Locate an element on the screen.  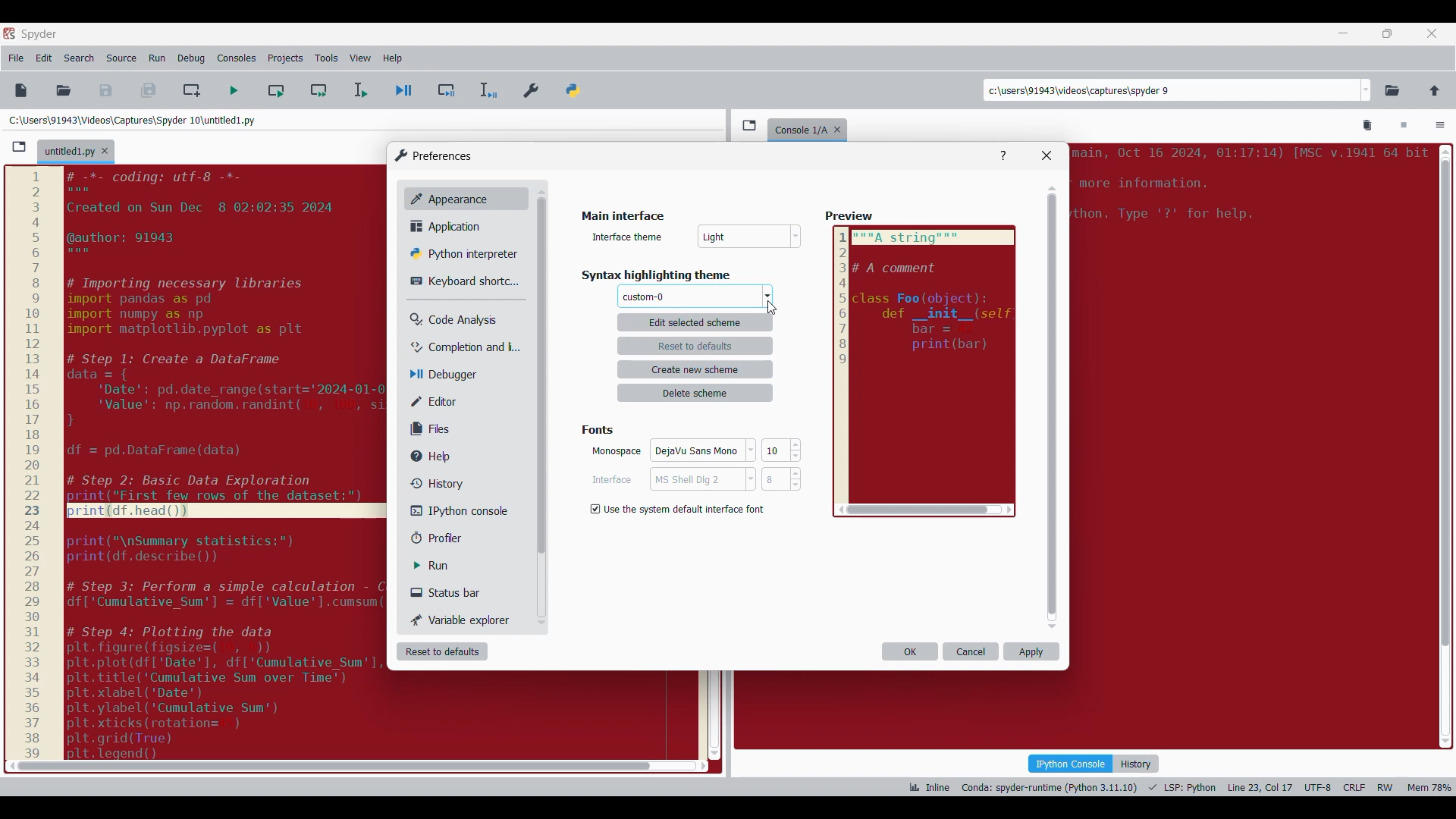
View menu is located at coordinates (360, 58).